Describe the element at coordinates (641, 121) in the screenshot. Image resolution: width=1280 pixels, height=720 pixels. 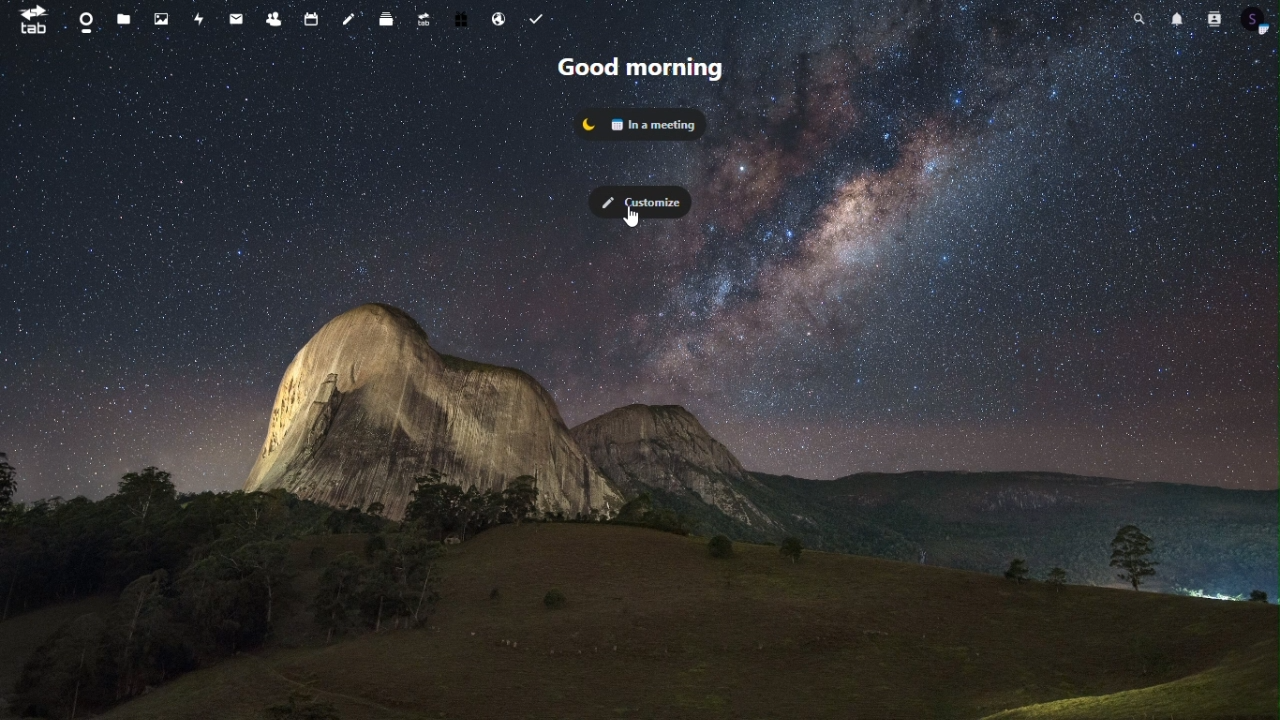
I see `in a meeting` at that location.